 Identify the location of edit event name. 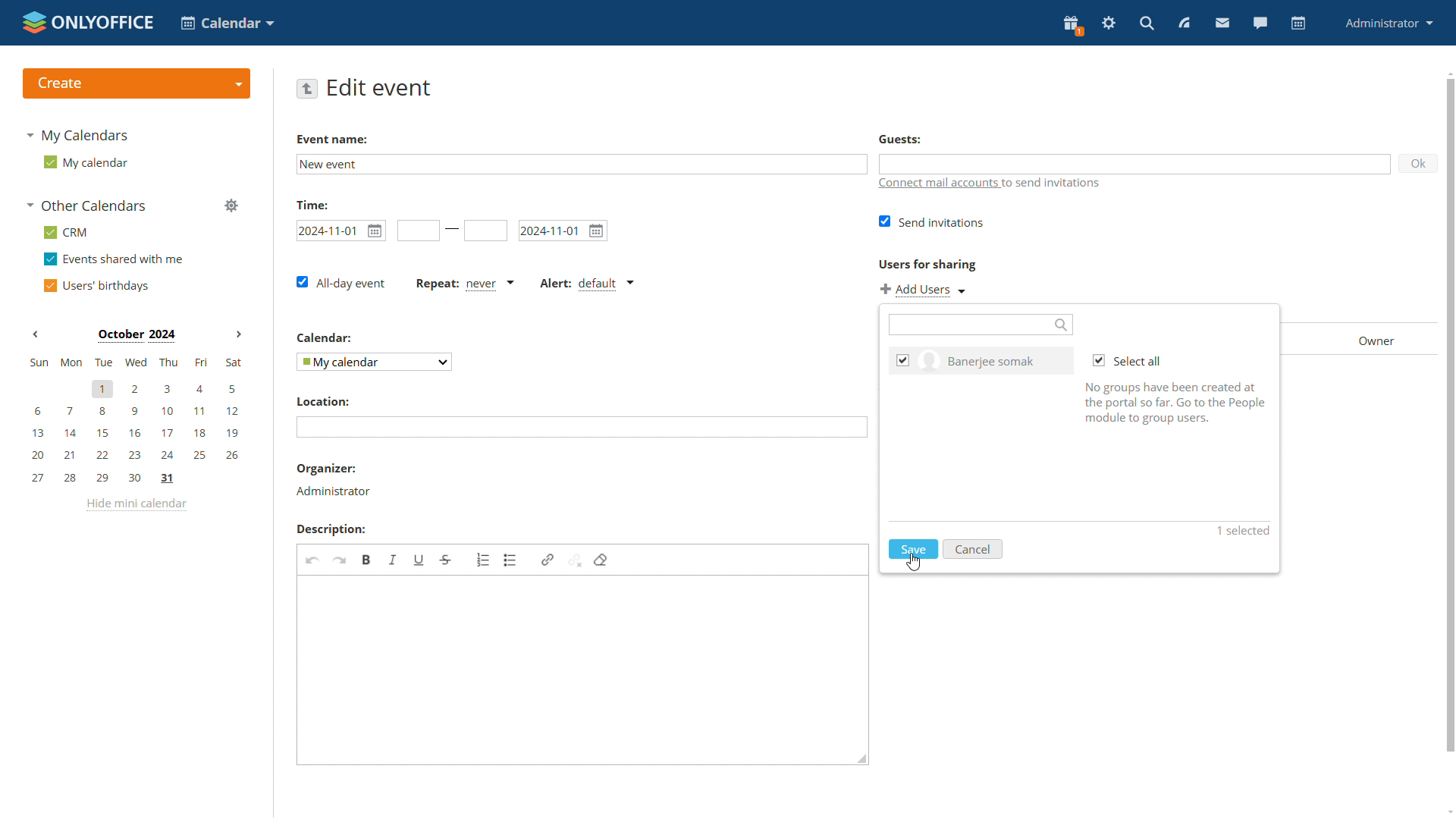
(582, 165).